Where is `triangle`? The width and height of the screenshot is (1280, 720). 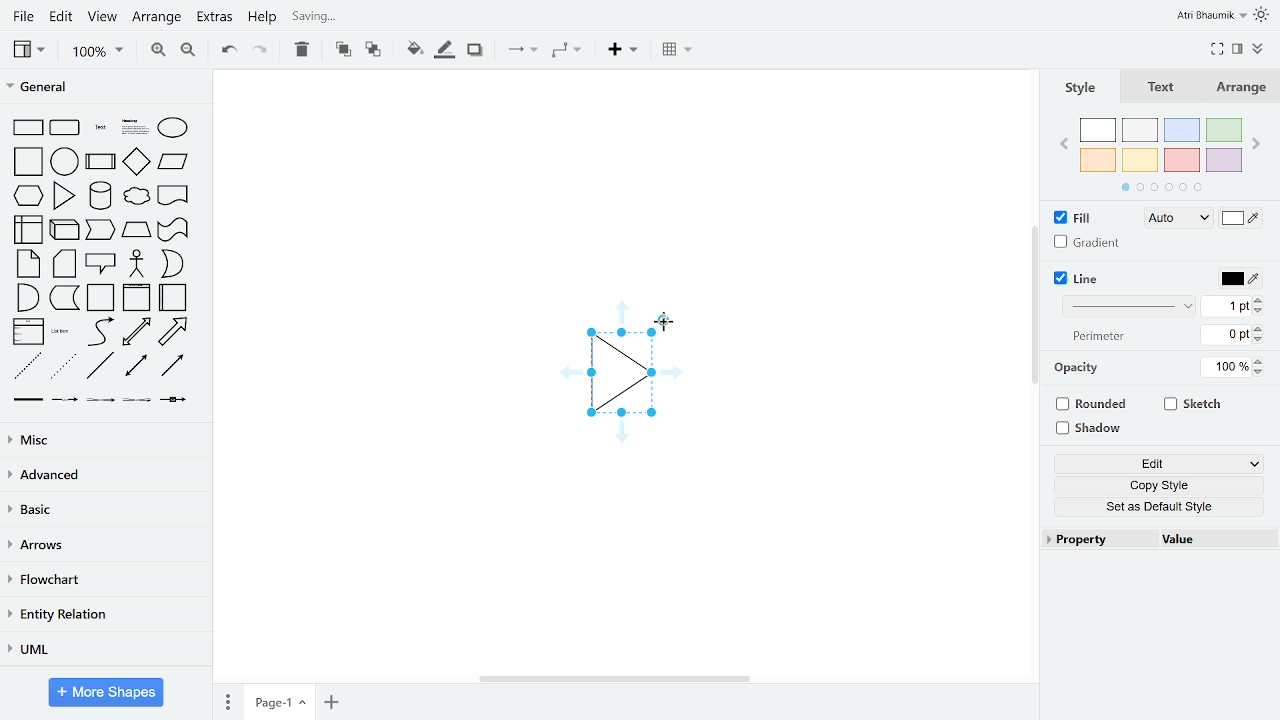 triangle is located at coordinates (66, 195).